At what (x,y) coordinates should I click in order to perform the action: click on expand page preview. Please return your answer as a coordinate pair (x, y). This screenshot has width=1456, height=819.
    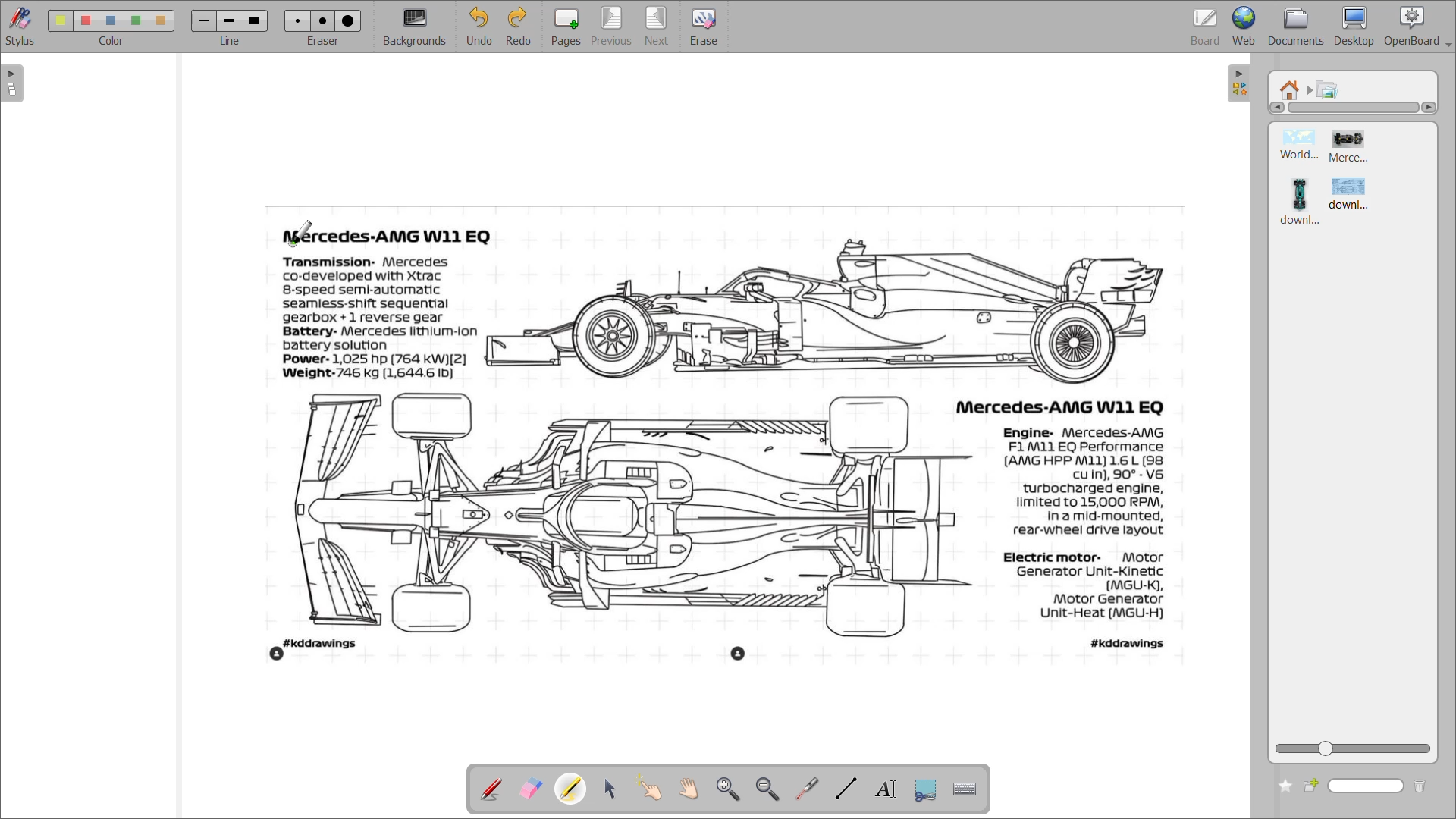
    Looking at the image, I should click on (13, 83).